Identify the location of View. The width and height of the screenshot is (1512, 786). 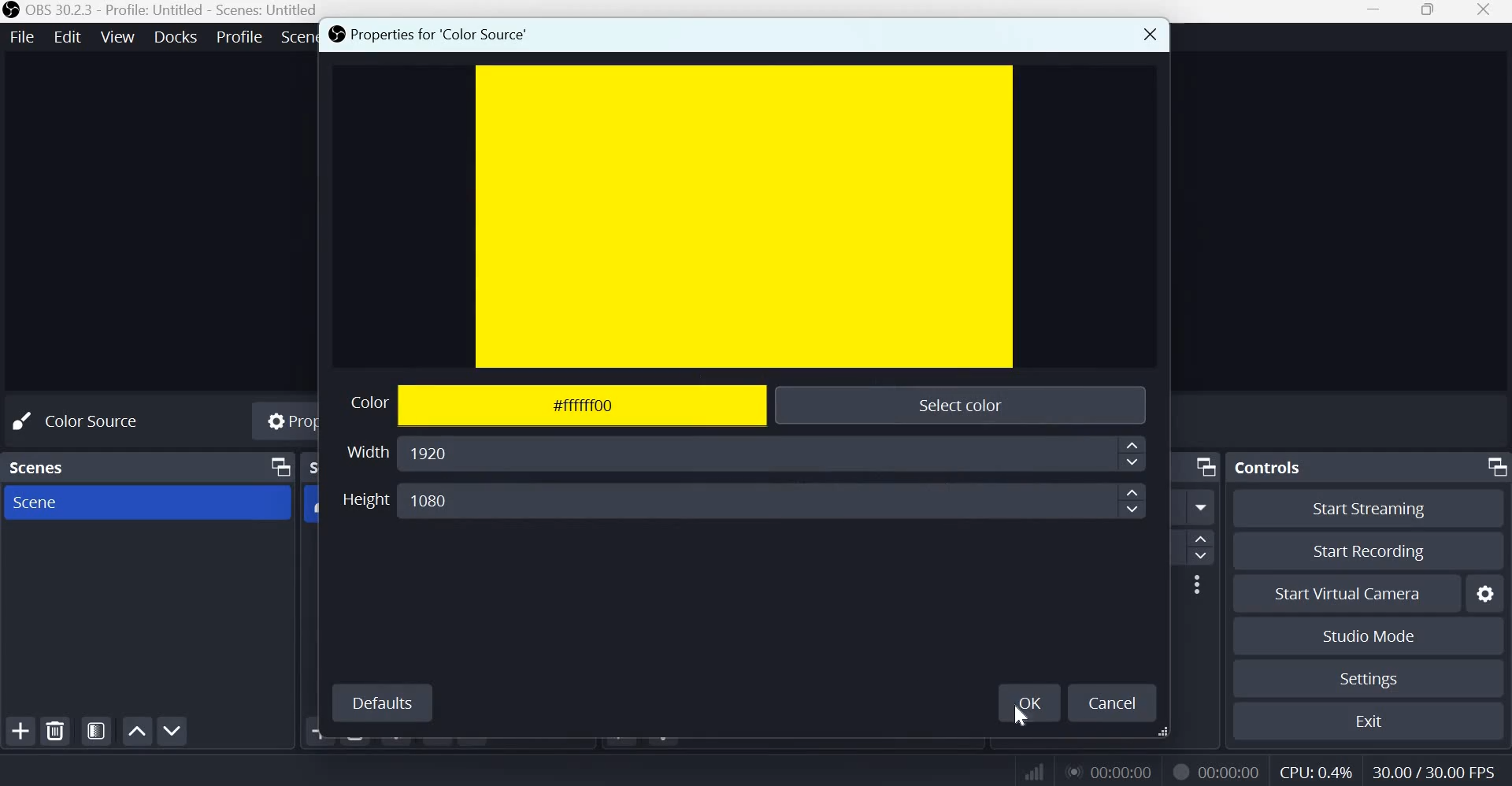
(119, 35).